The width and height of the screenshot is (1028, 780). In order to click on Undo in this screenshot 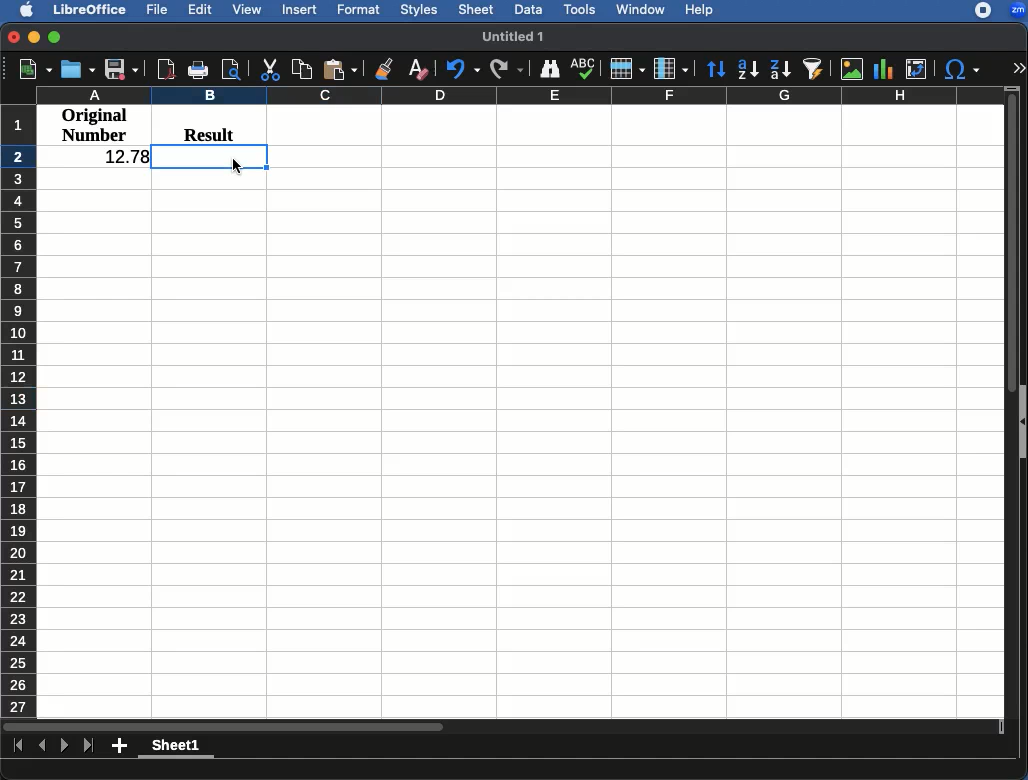, I will do `click(461, 69)`.